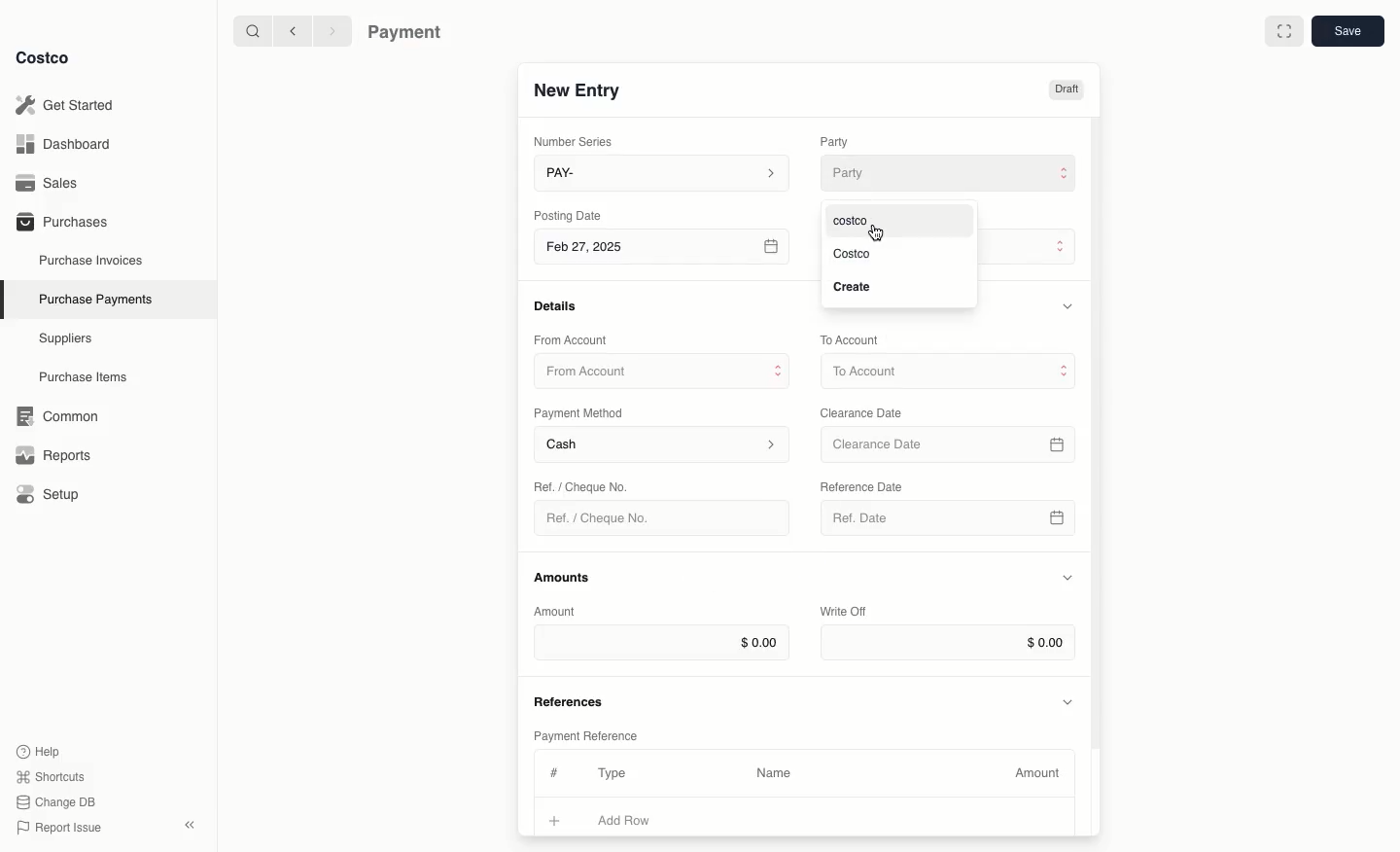 The height and width of the screenshot is (852, 1400). I want to click on ‘Reference Date, so click(863, 486).